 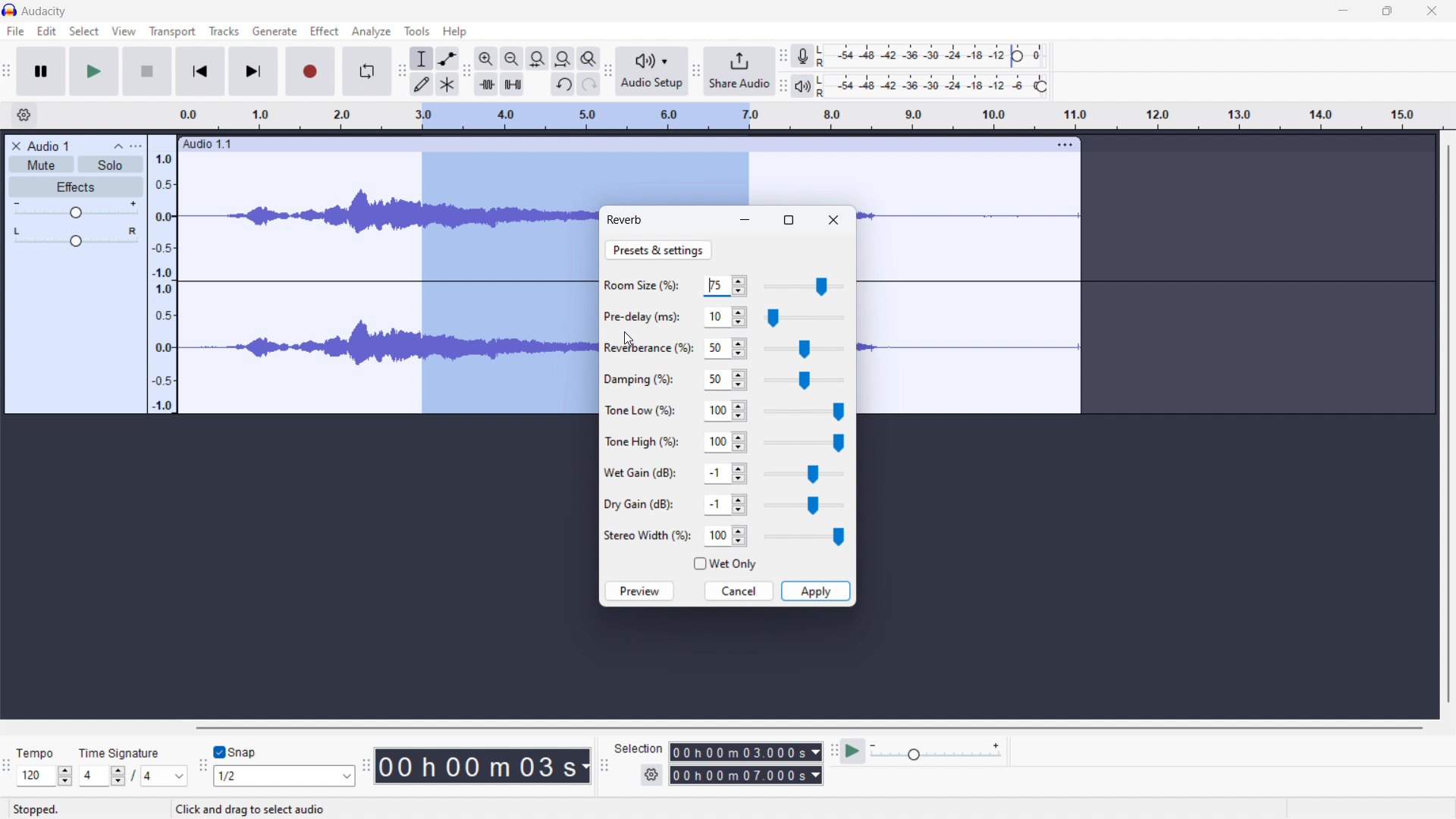 I want to click on Room Size(%);, so click(x=641, y=287).